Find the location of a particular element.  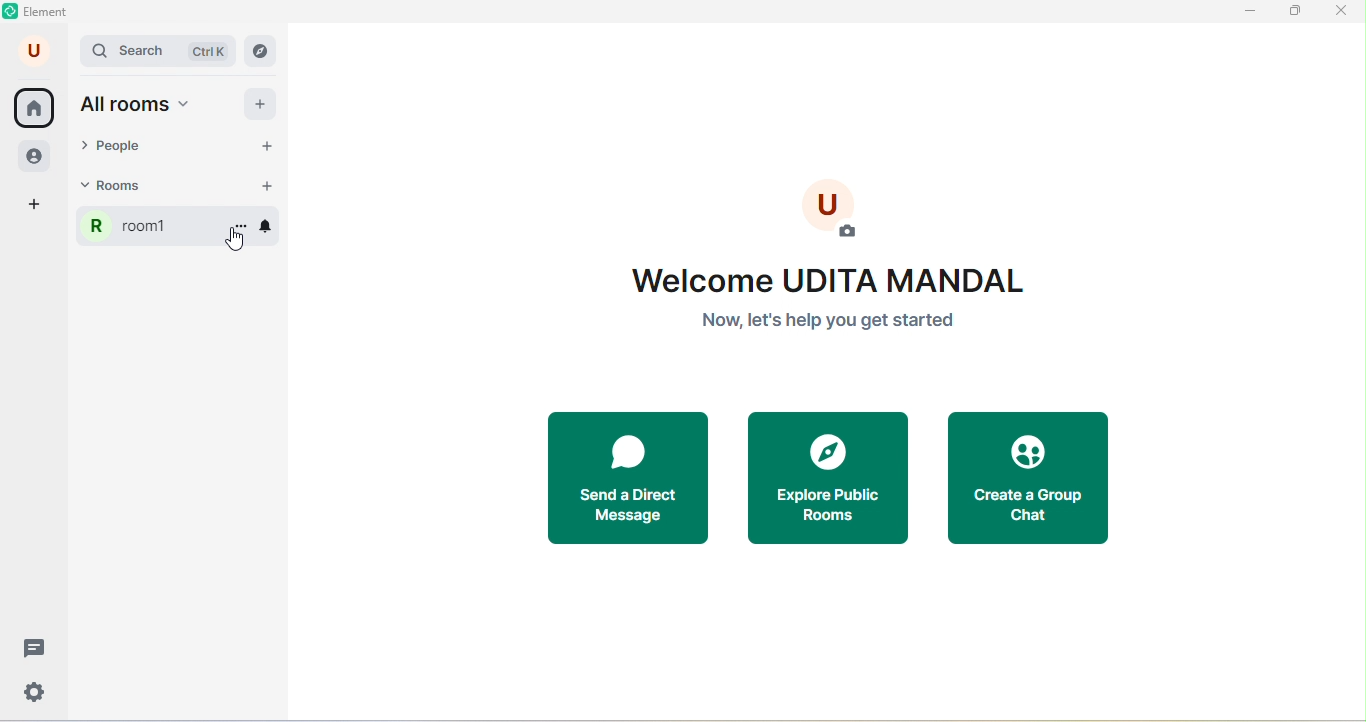

start chat is located at coordinates (257, 148).